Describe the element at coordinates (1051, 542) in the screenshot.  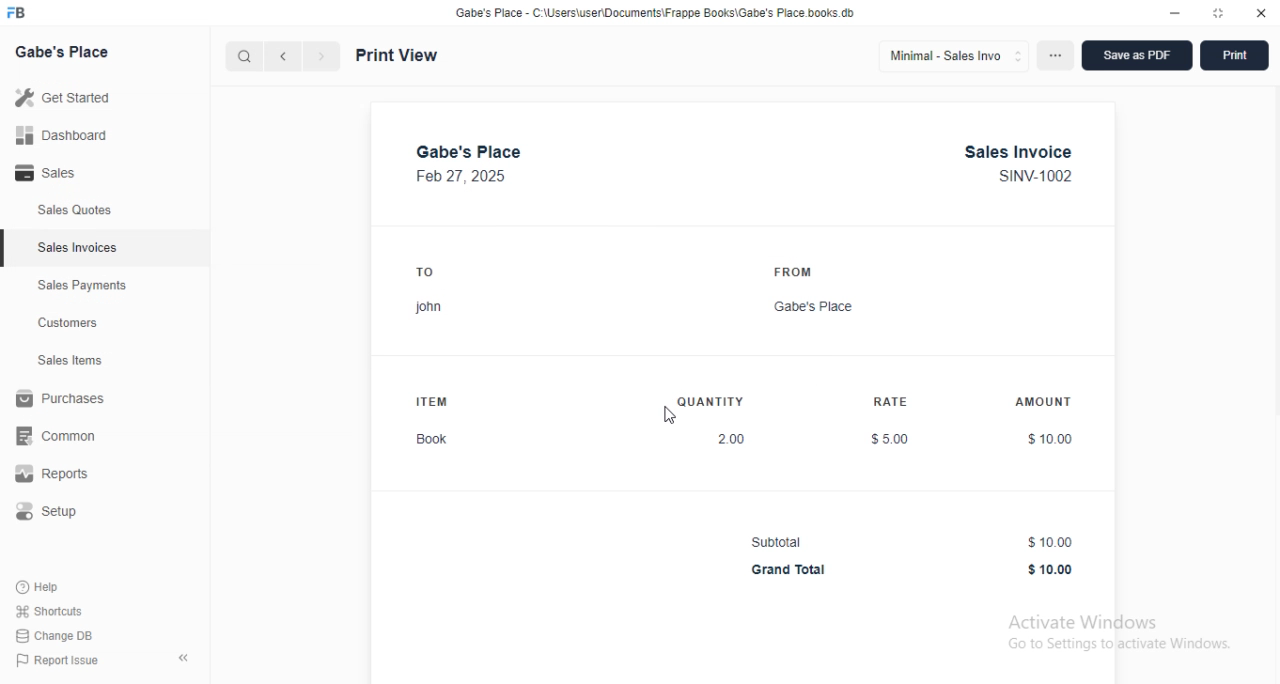
I see `$10.00` at that location.